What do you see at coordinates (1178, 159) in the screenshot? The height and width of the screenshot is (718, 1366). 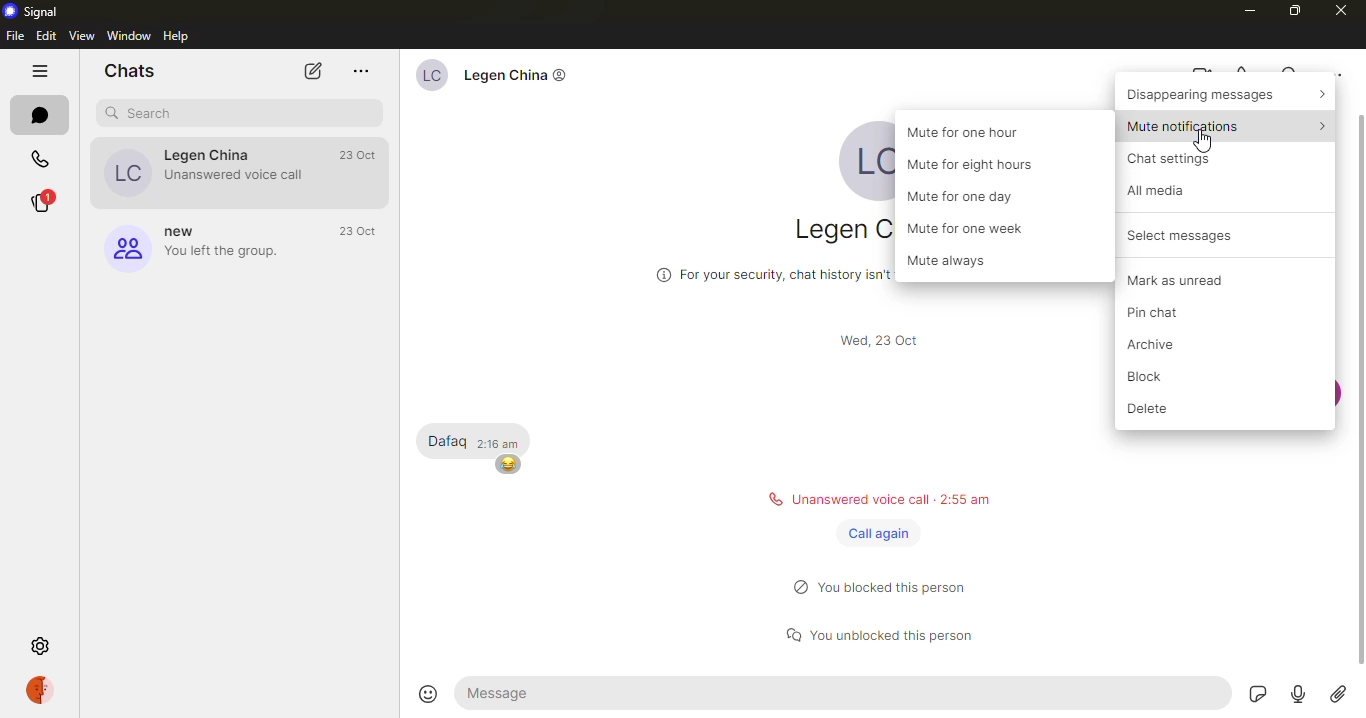 I see `chat settings` at bounding box center [1178, 159].